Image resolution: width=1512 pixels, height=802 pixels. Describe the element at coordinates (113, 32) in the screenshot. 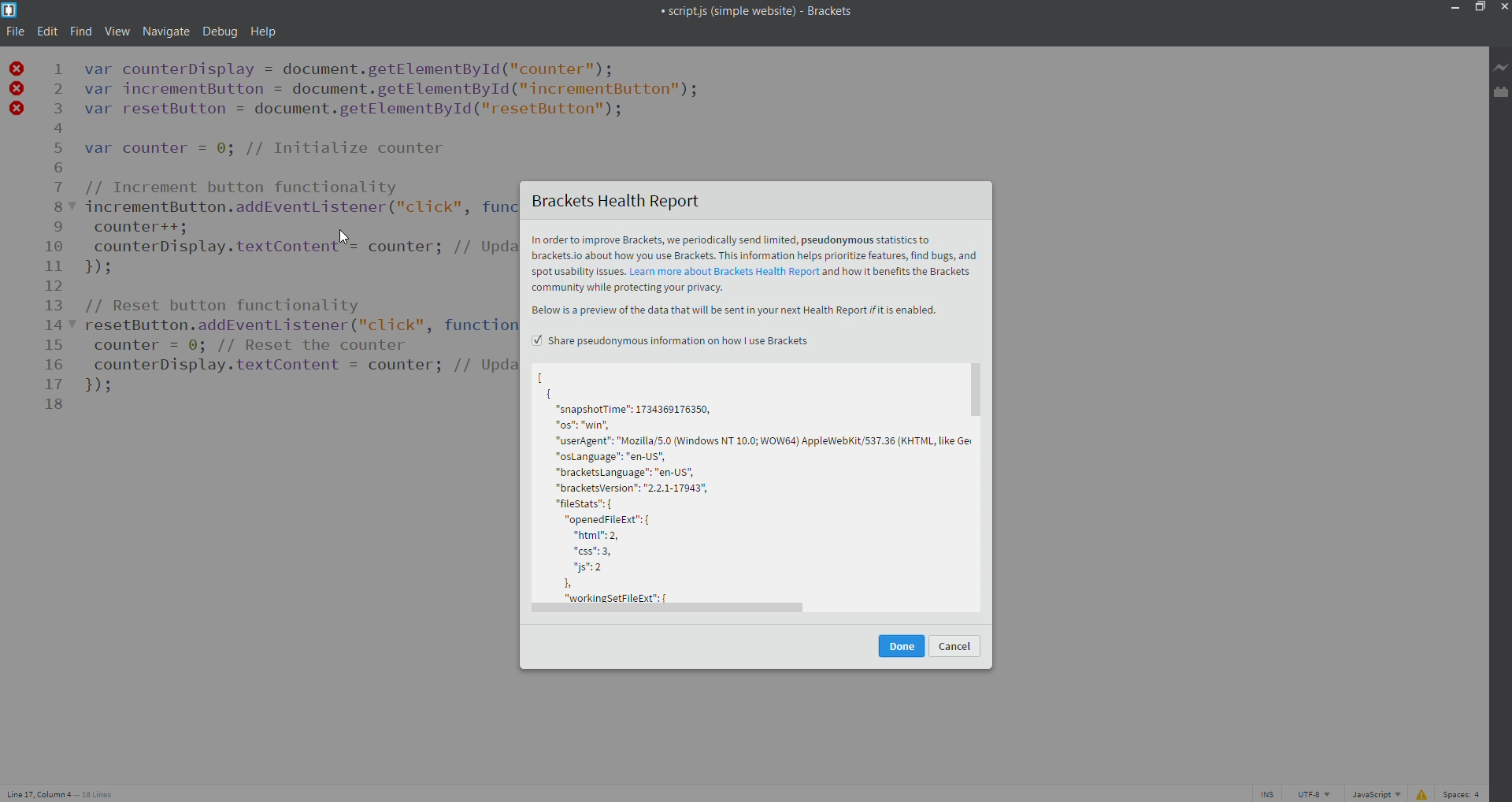

I see `view` at that location.